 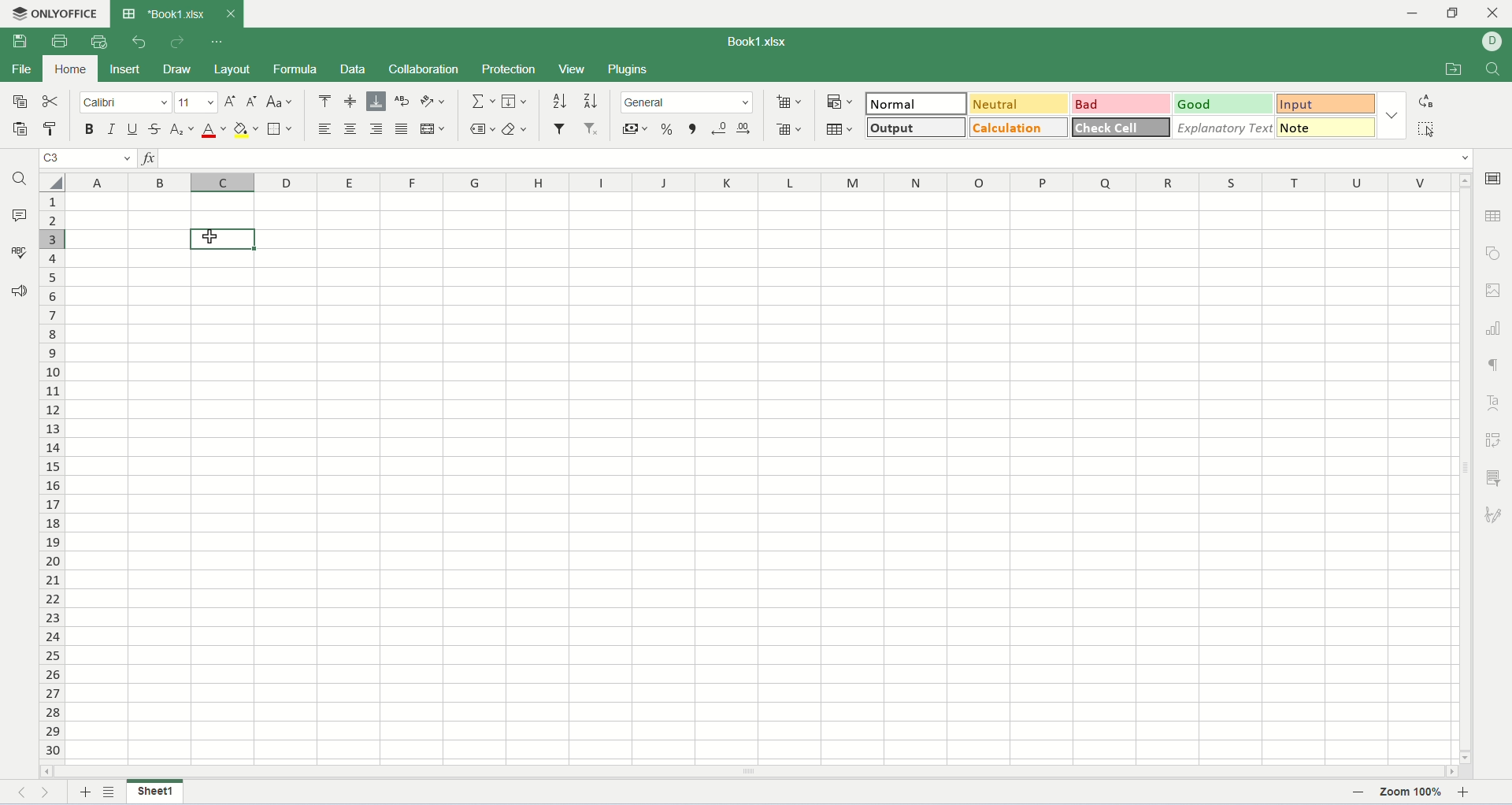 What do you see at coordinates (424, 69) in the screenshot?
I see `collaboration` at bounding box center [424, 69].